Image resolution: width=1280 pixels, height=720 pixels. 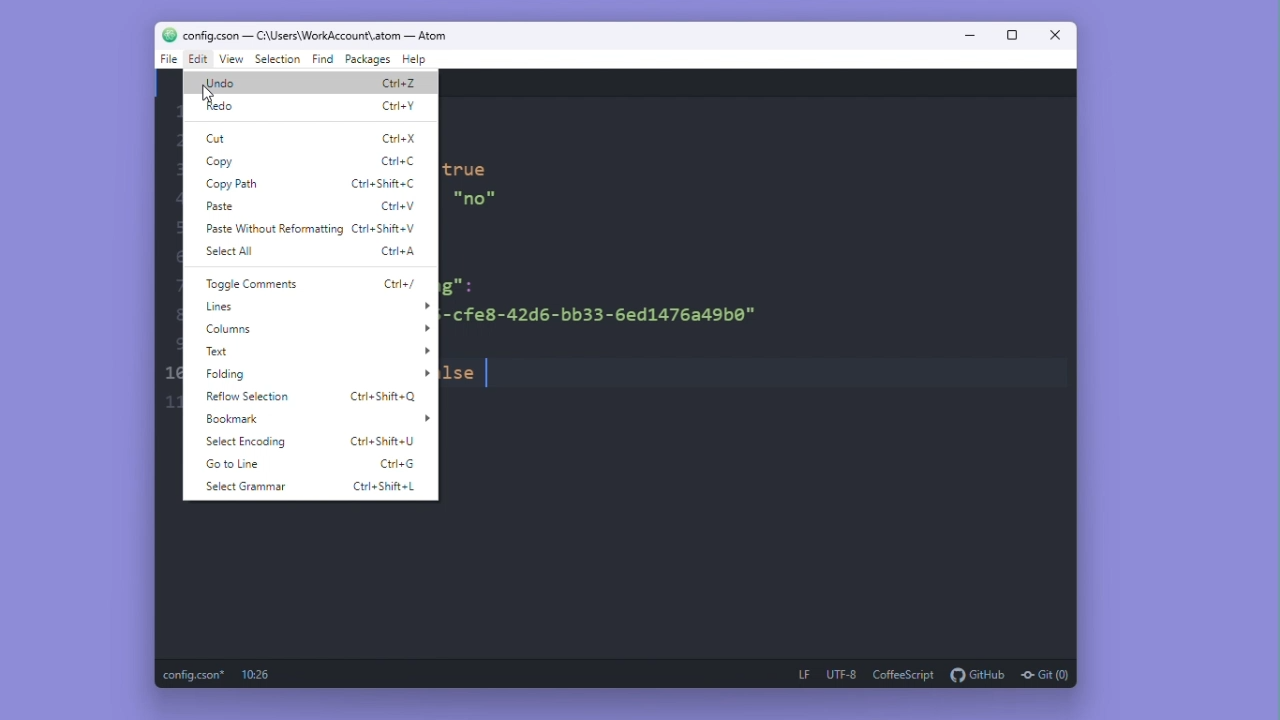 What do you see at coordinates (400, 104) in the screenshot?
I see `ctrl+y` at bounding box center [400, 104].